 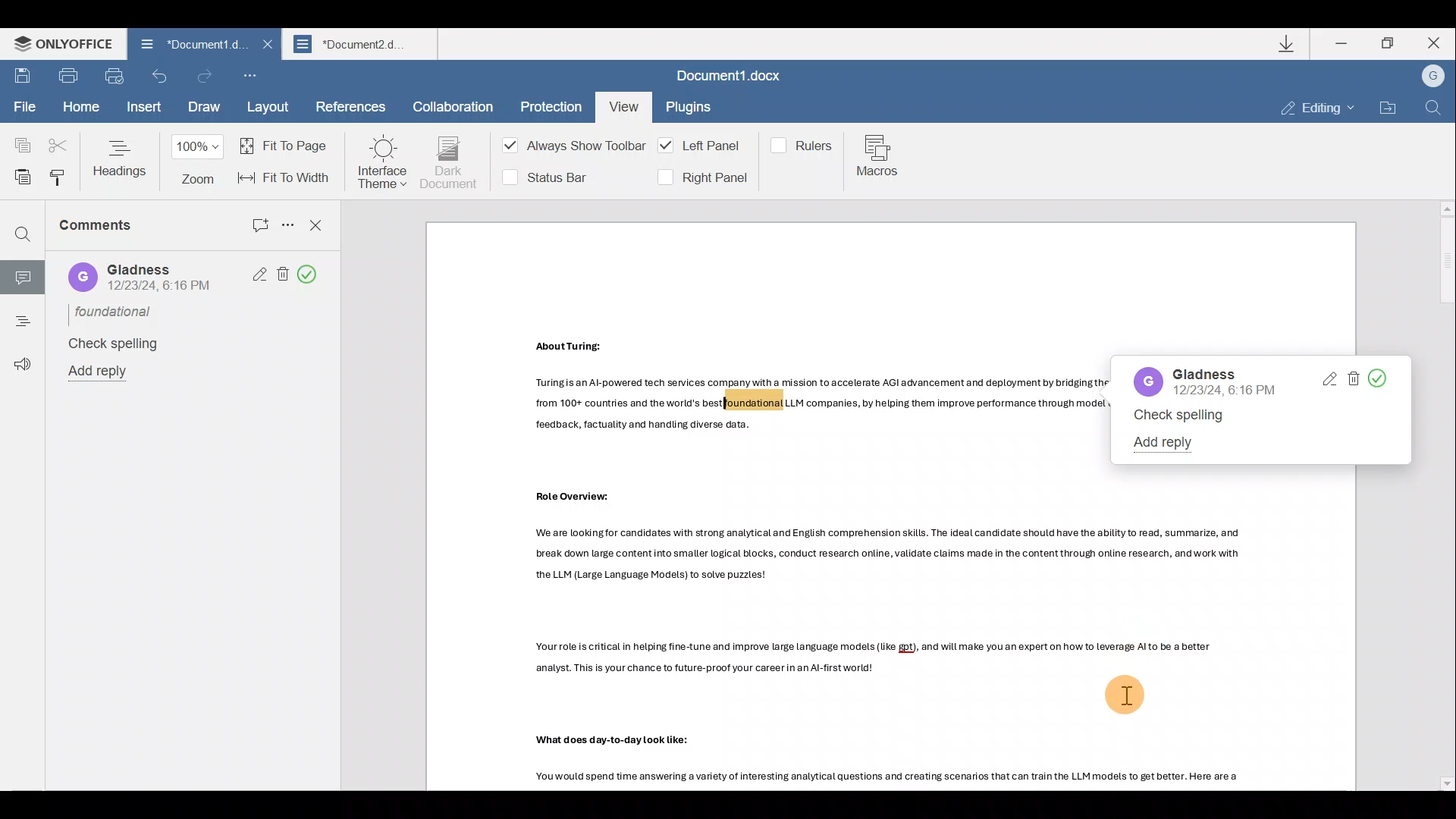 I want to click on Fit to page, so click(x=287, y=145).